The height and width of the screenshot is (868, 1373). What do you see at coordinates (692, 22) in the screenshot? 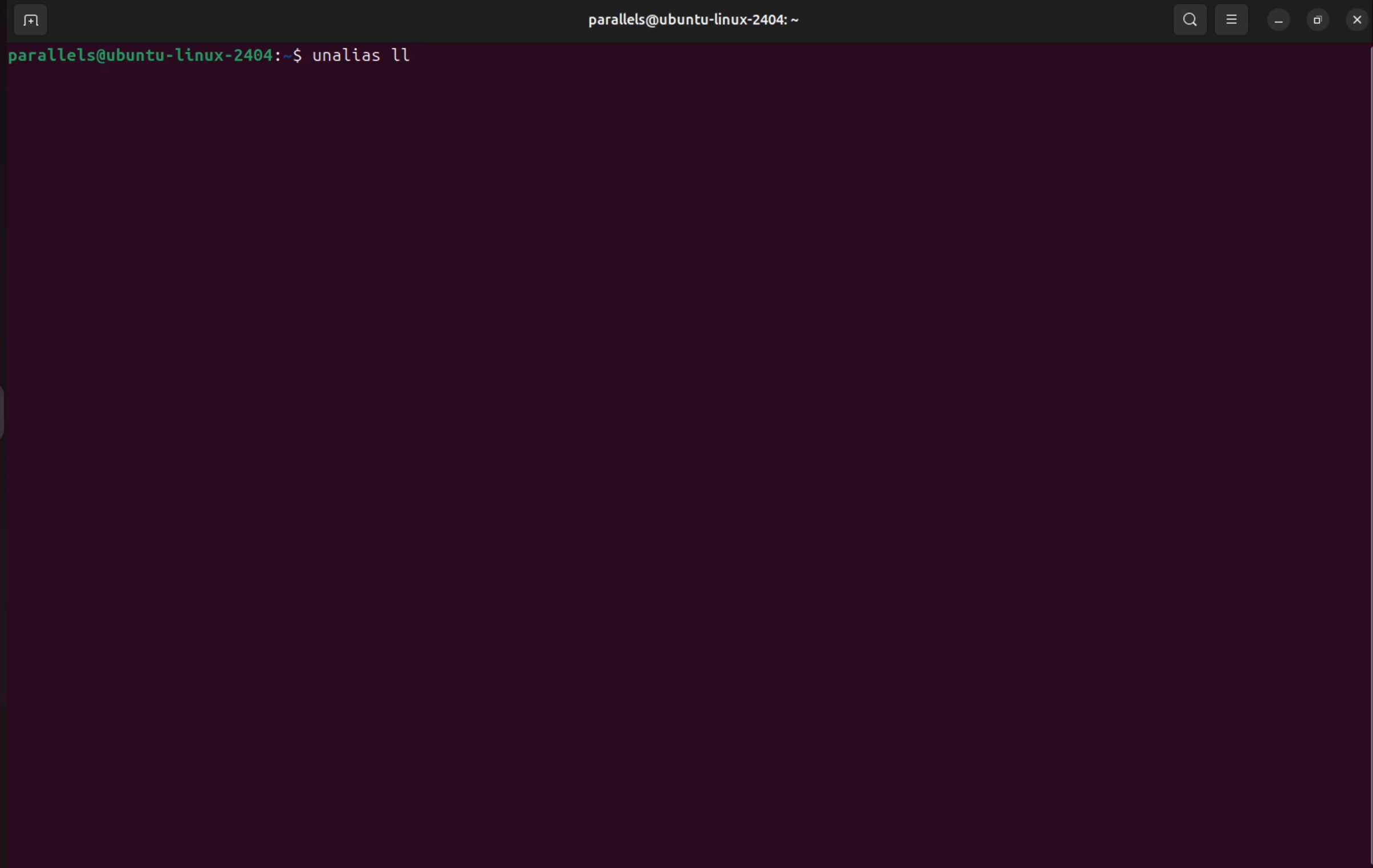
I see `userprofile` at bounding box center [692, 22].